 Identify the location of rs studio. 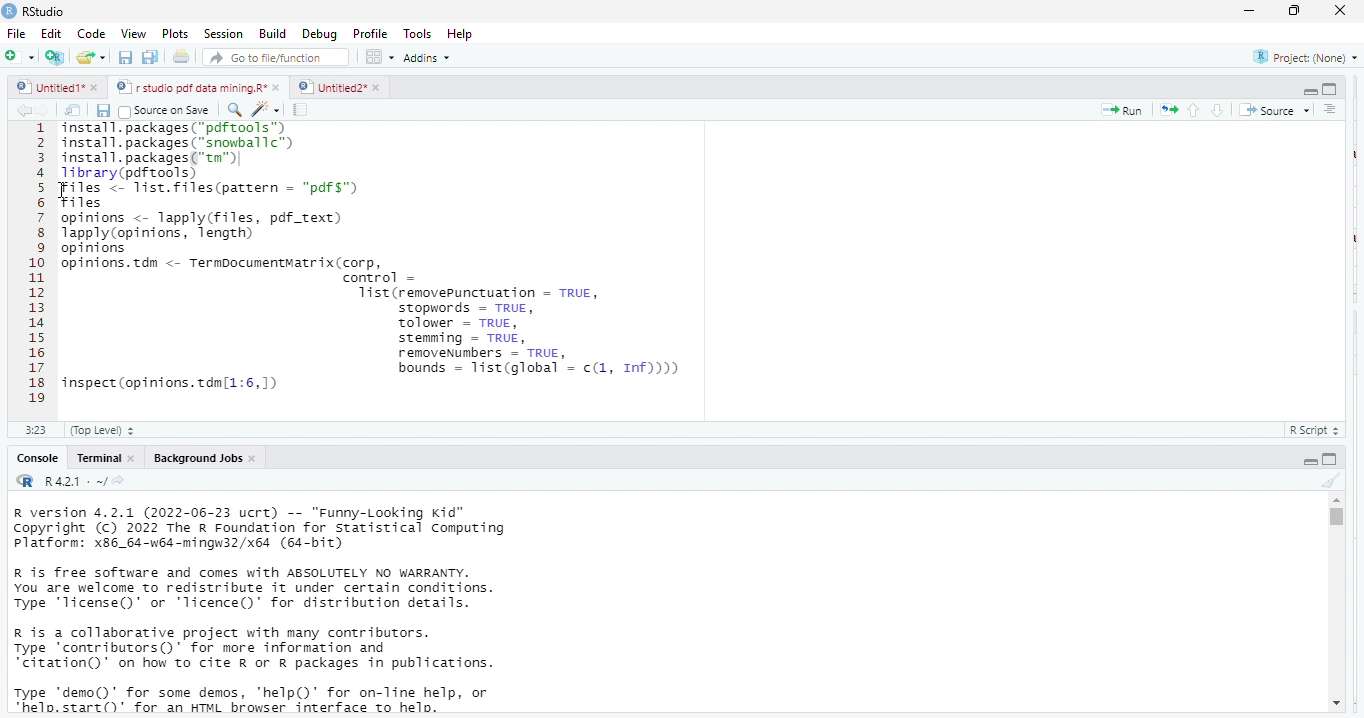
(45, 11).